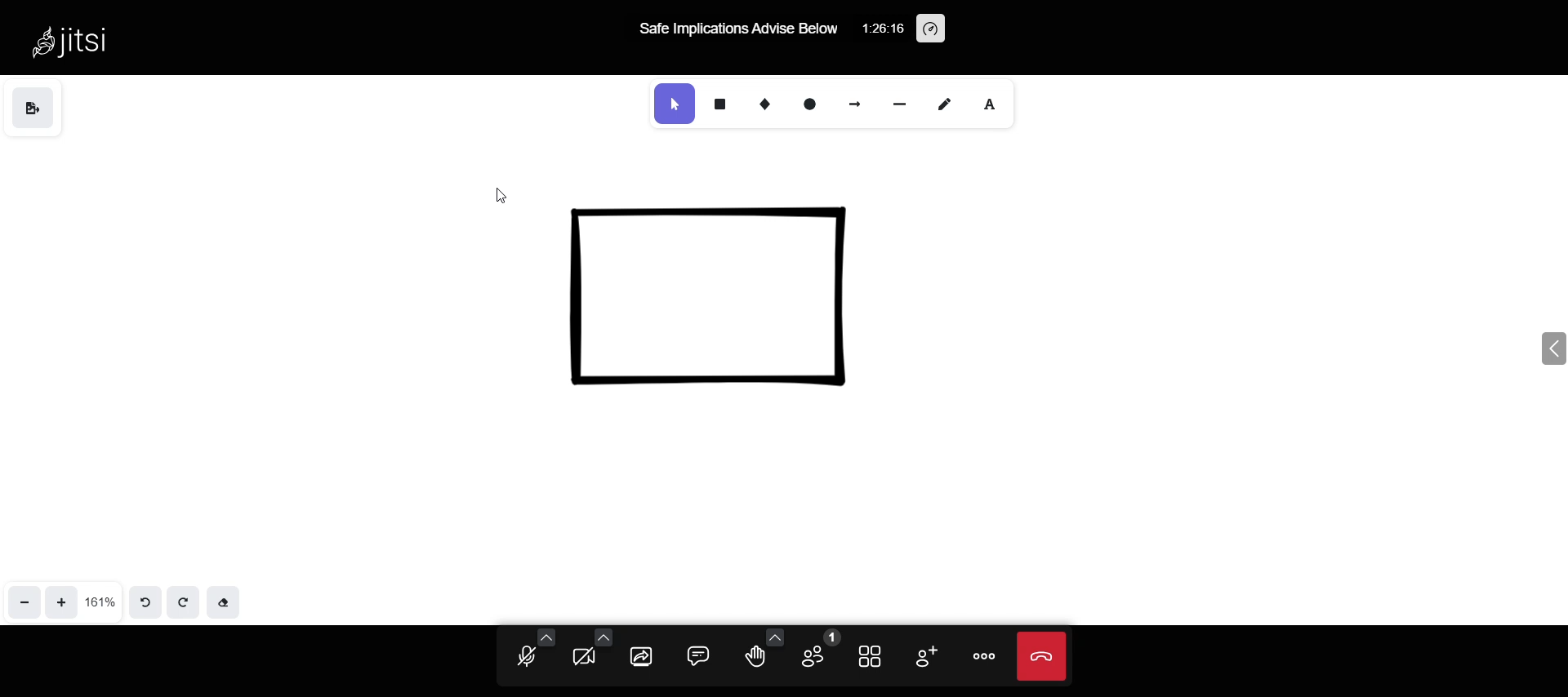 The height and width of the screenshot is (697, 1568). I want to click on rectangle, so click(722, 102).